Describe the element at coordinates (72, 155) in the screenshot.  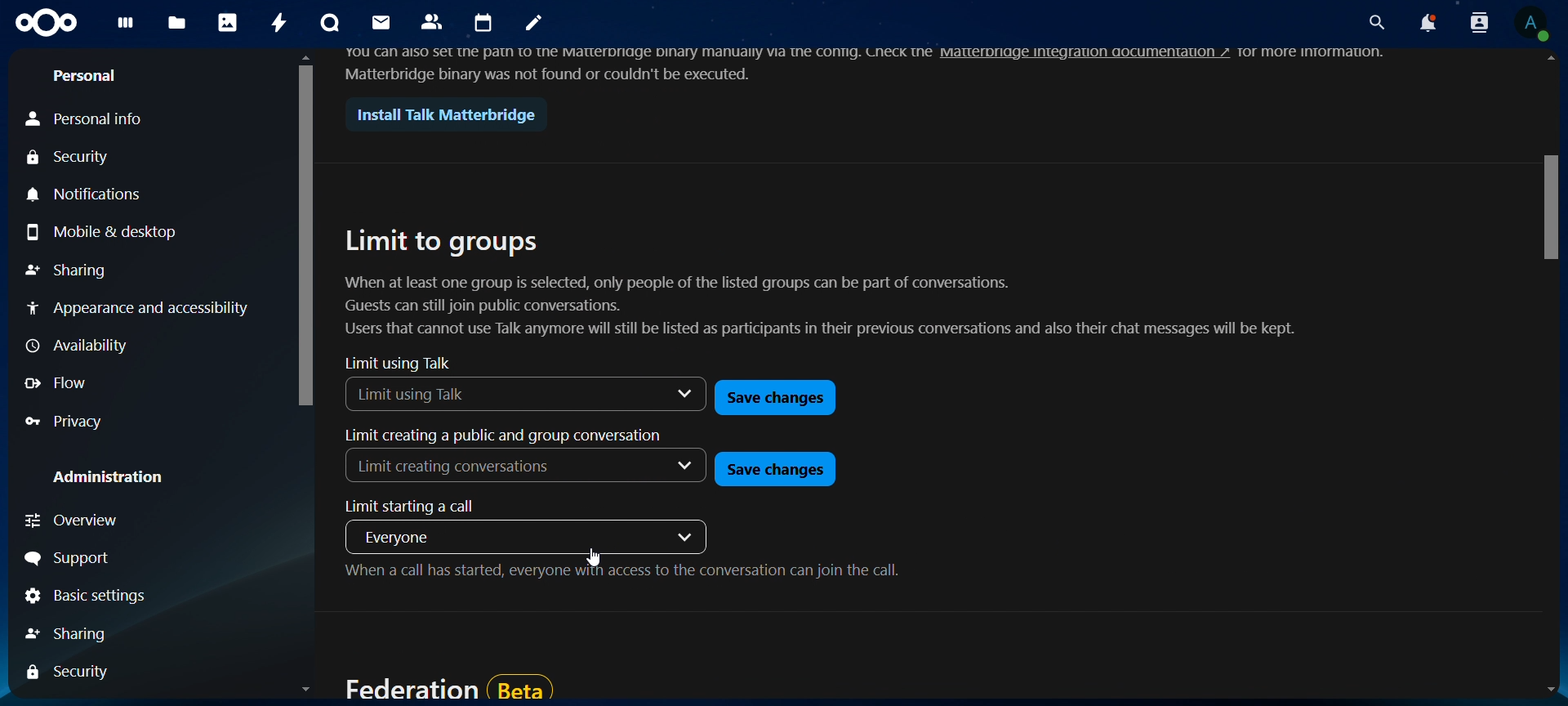
I see `Security` at that location.